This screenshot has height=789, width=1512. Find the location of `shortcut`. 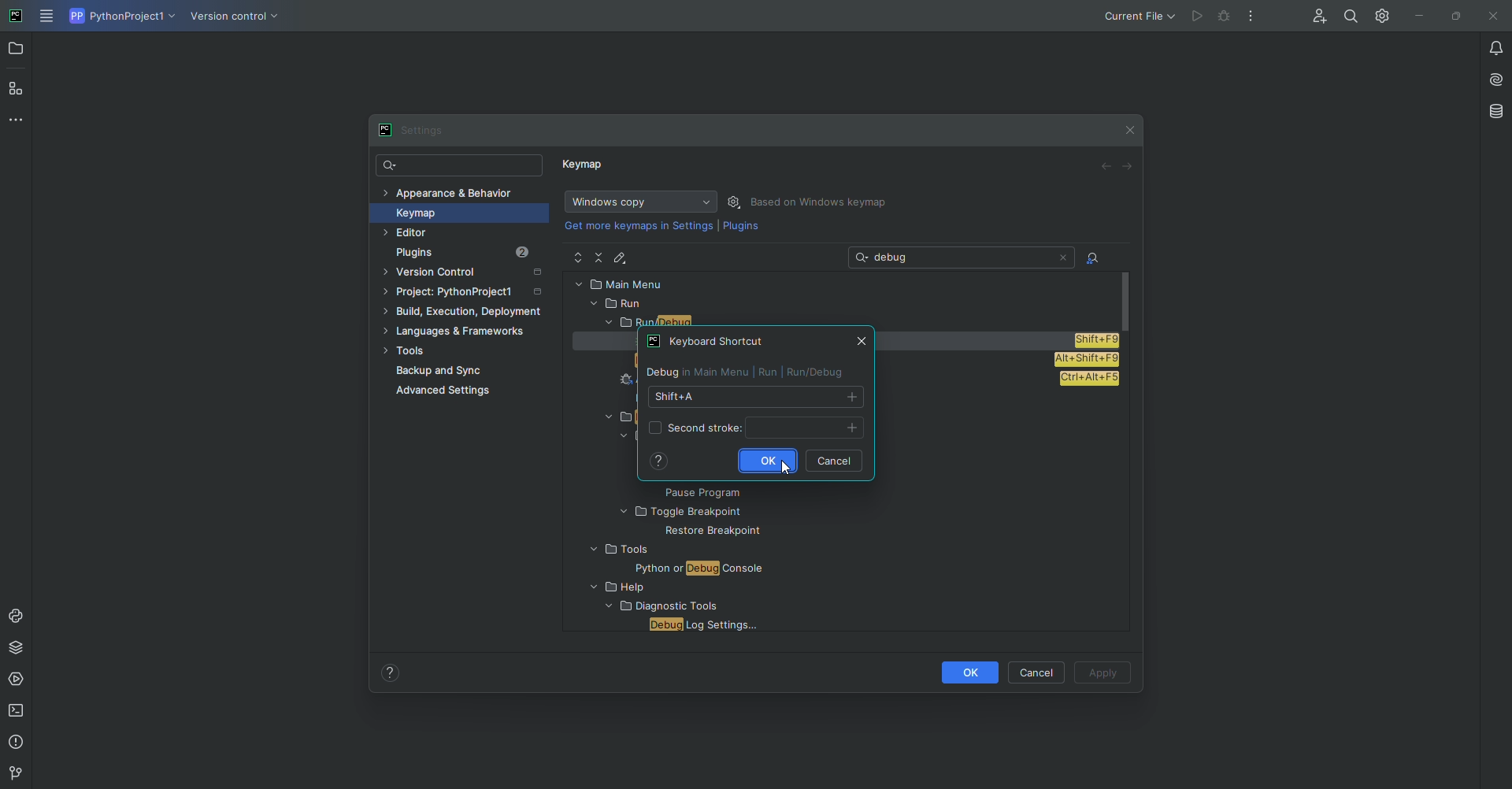

shortcut is located at coordinates (1098, 339).